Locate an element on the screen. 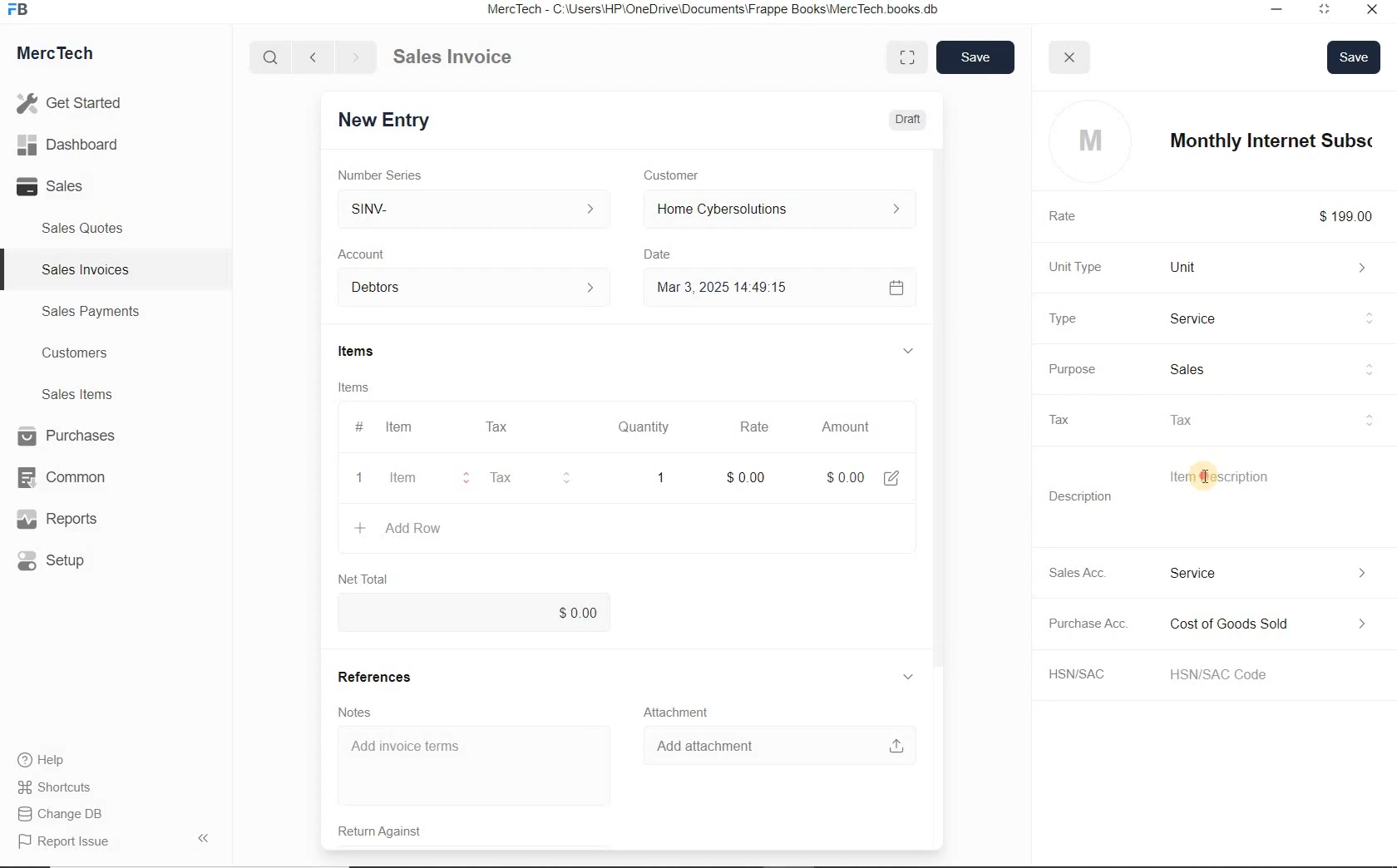 This screenshot has height=868, width=1397. Date is located at coordinates (661, 254).